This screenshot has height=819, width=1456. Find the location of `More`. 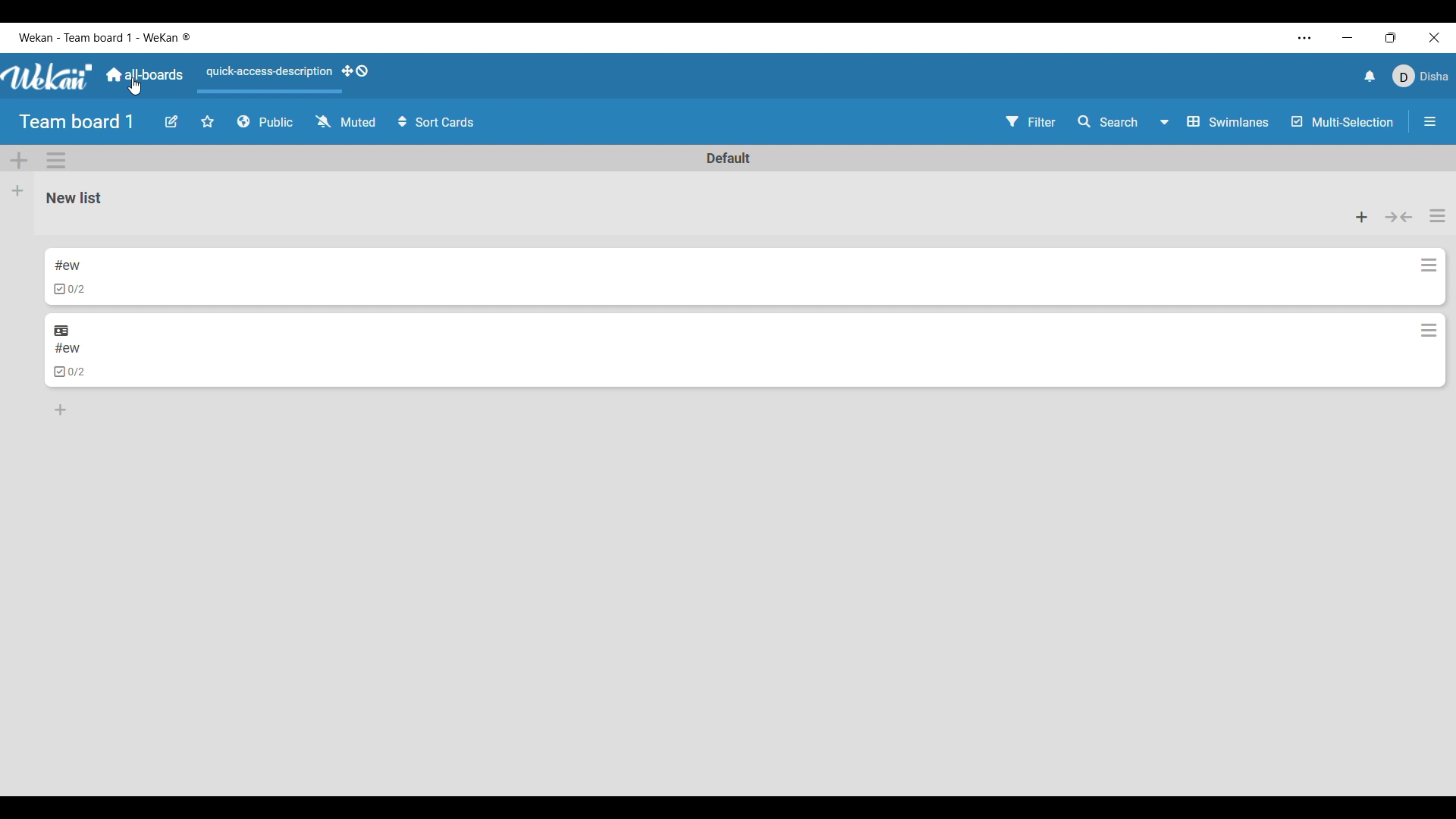

More is located at coordinates (1426, 331).